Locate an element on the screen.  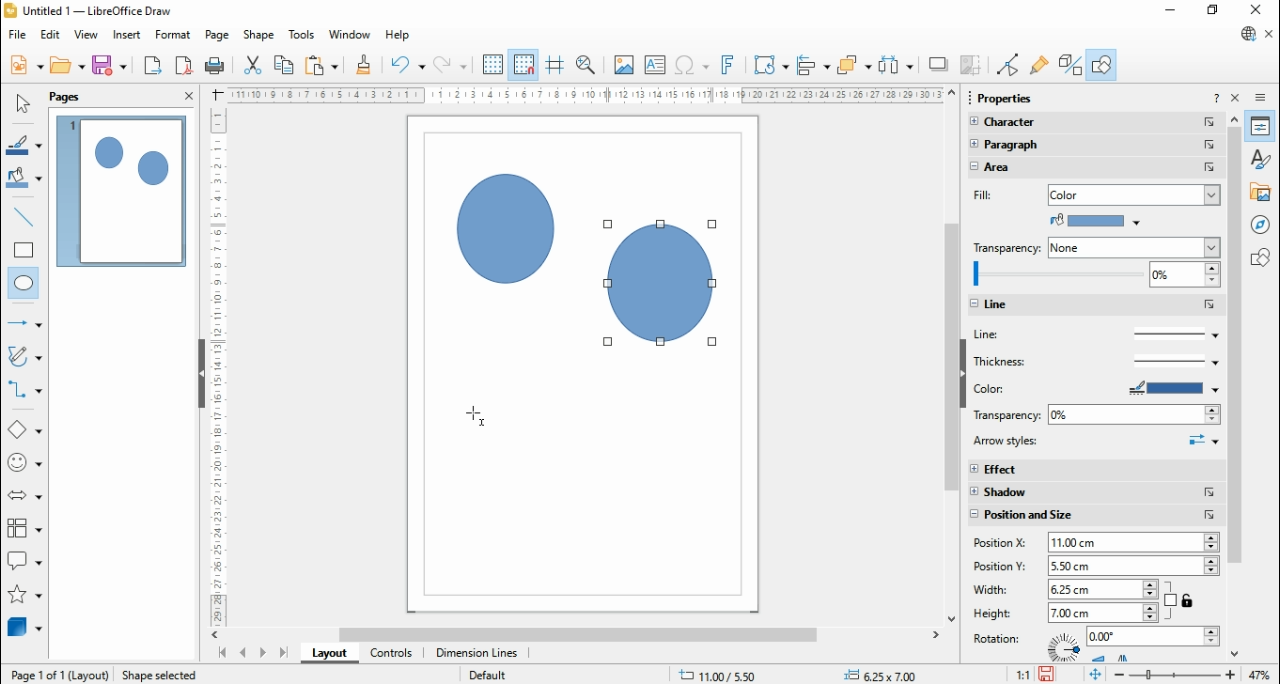
Circle shape is located at coordinates (504, 230).